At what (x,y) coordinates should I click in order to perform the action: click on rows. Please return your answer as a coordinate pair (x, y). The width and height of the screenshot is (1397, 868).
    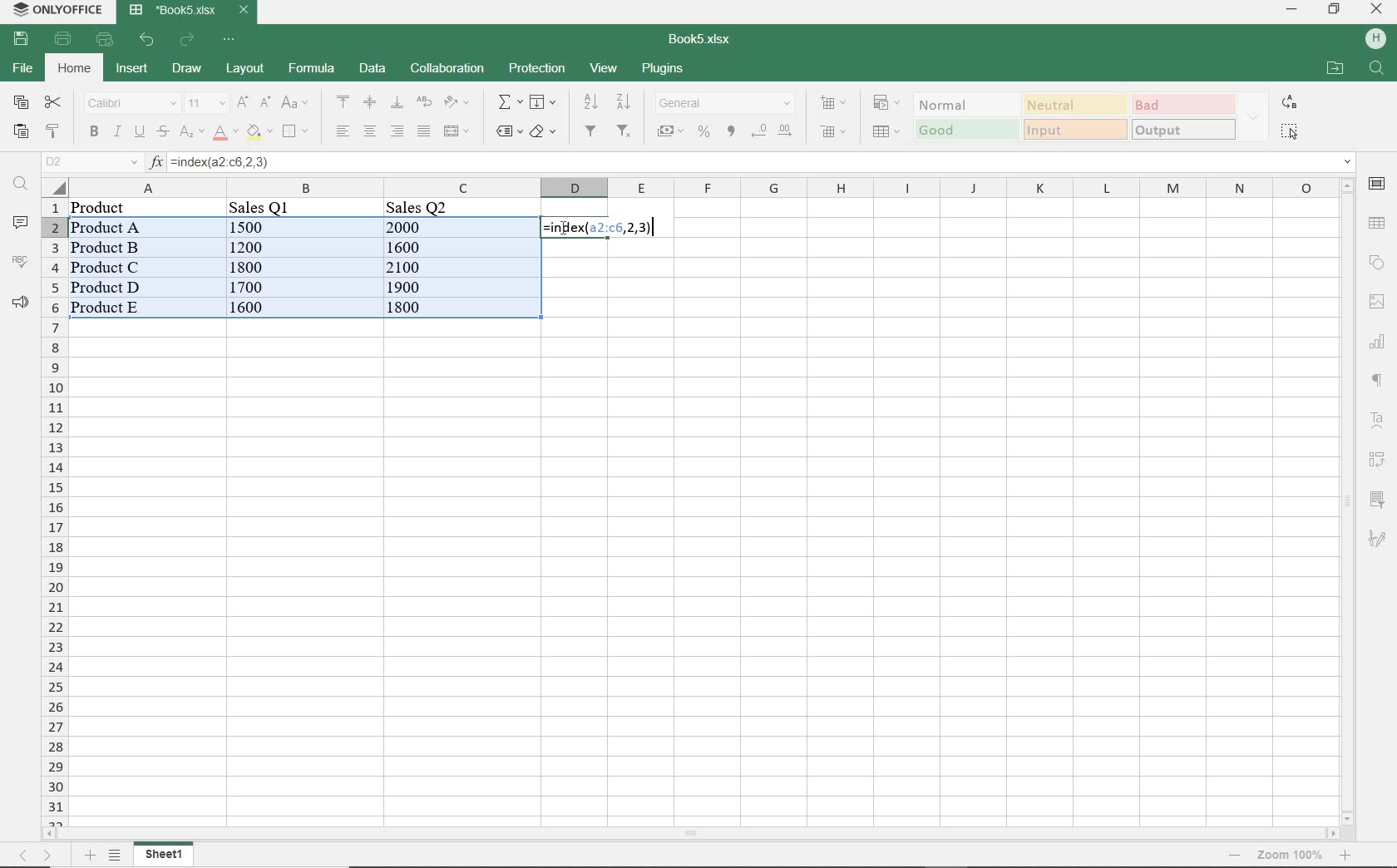
    Looking at the image, I should click on (54, 512).